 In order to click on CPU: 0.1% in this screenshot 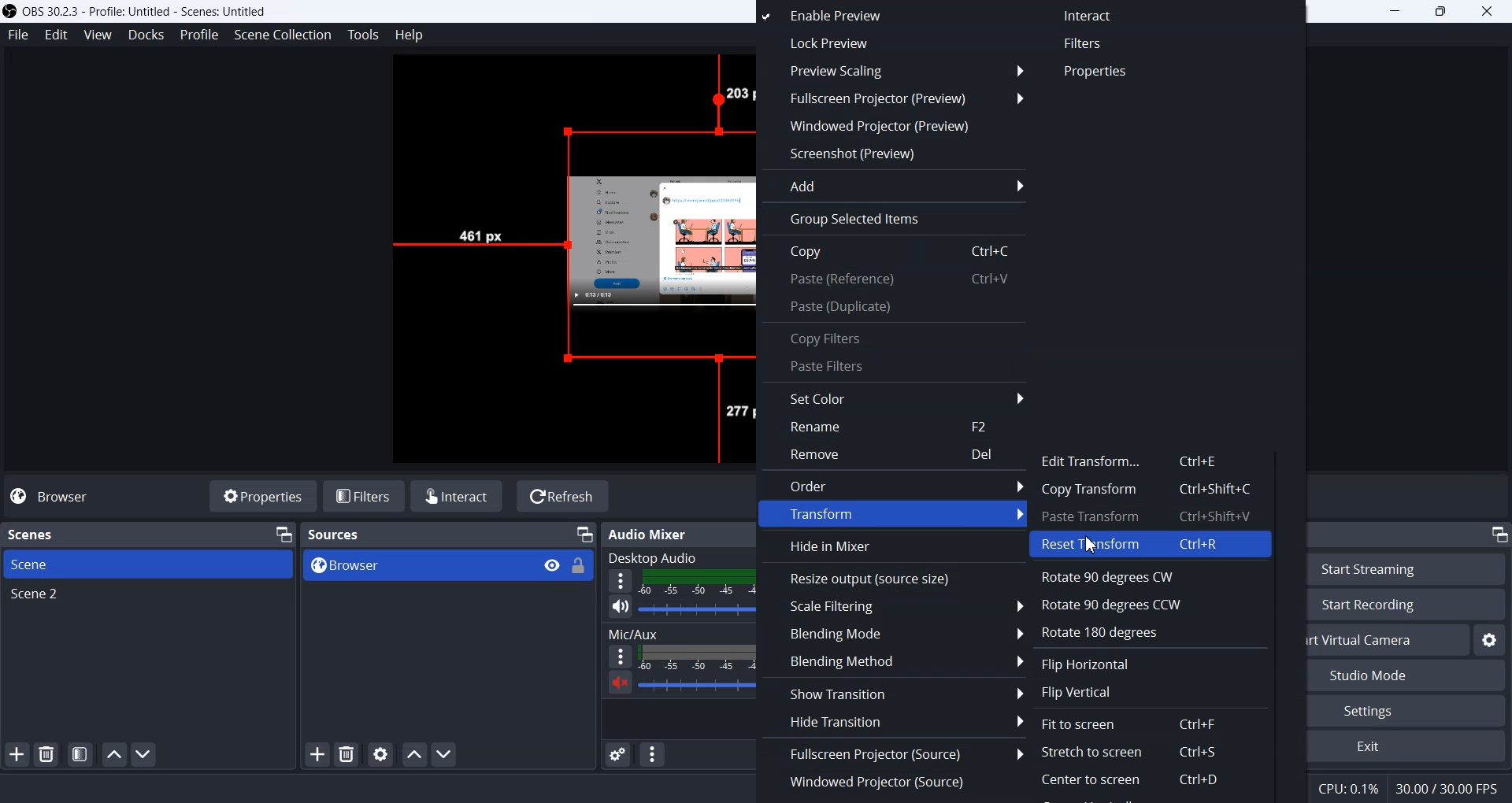, I will do `click(1349, 786)`.